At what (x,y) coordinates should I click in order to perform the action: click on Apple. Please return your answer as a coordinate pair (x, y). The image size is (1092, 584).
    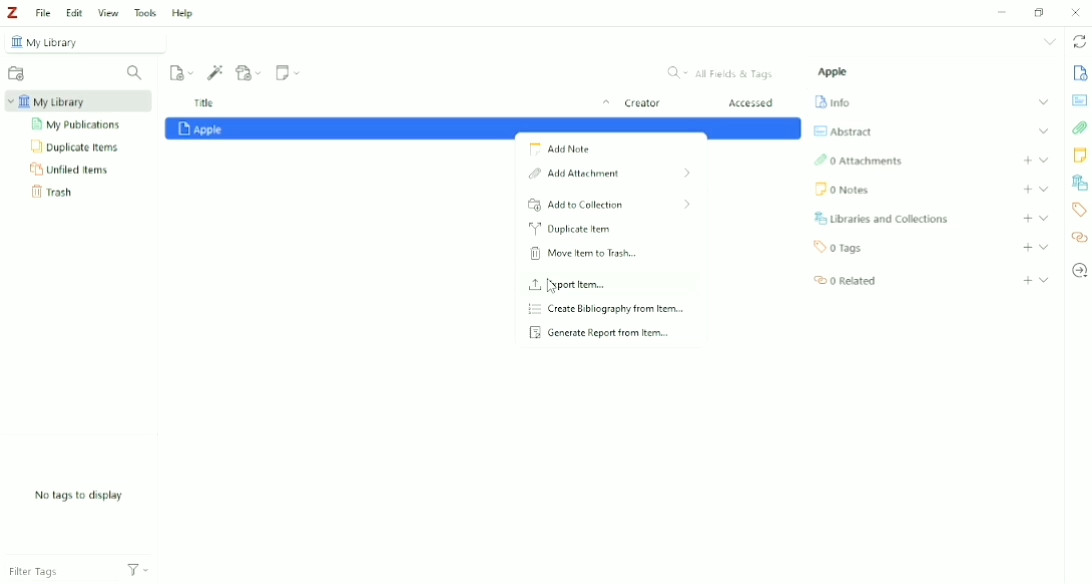
    Looking at the image, I should click on (835, 72).